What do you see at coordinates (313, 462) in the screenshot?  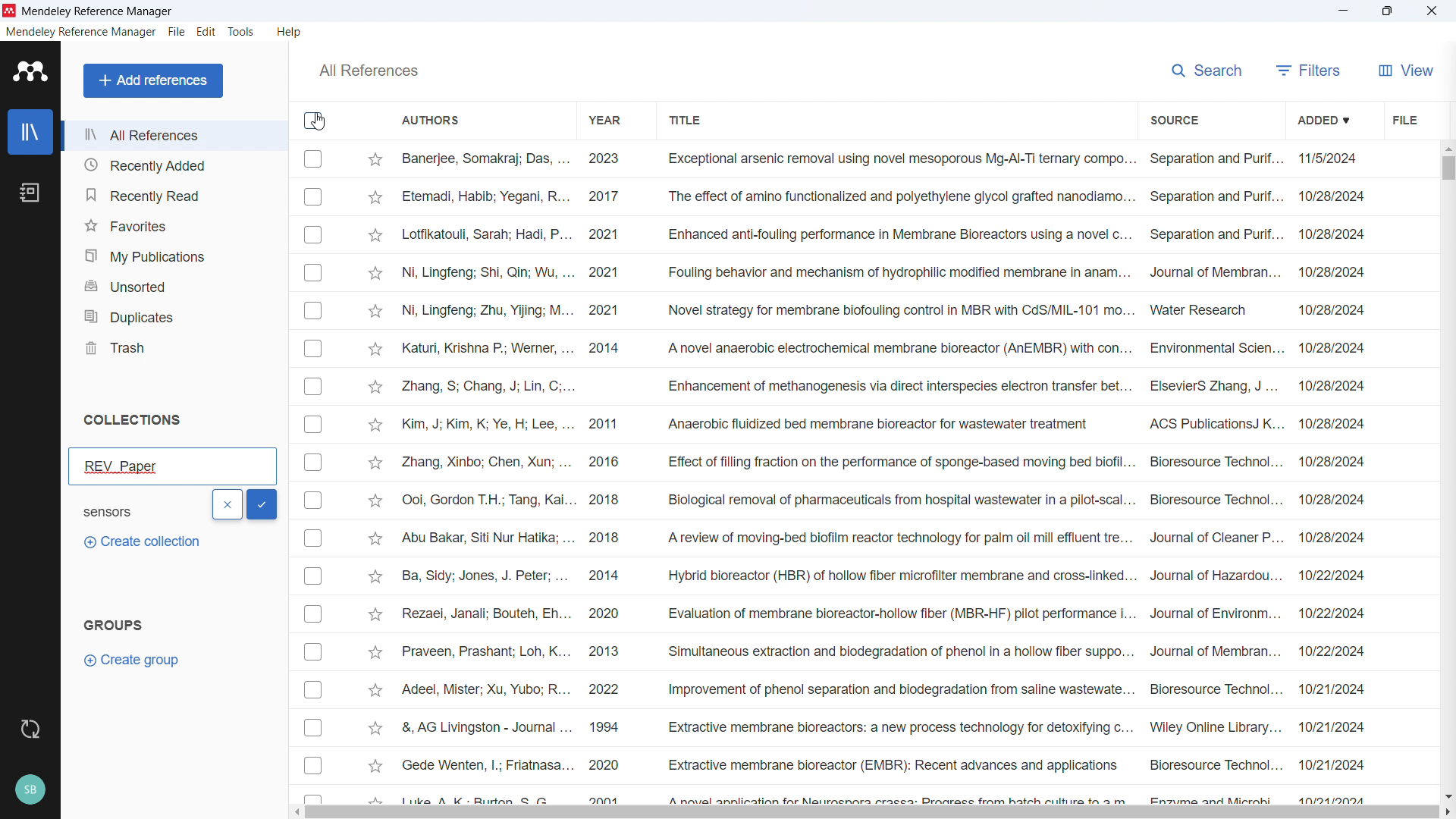 I see `Select respective publication` at bounding box center [313, 462].